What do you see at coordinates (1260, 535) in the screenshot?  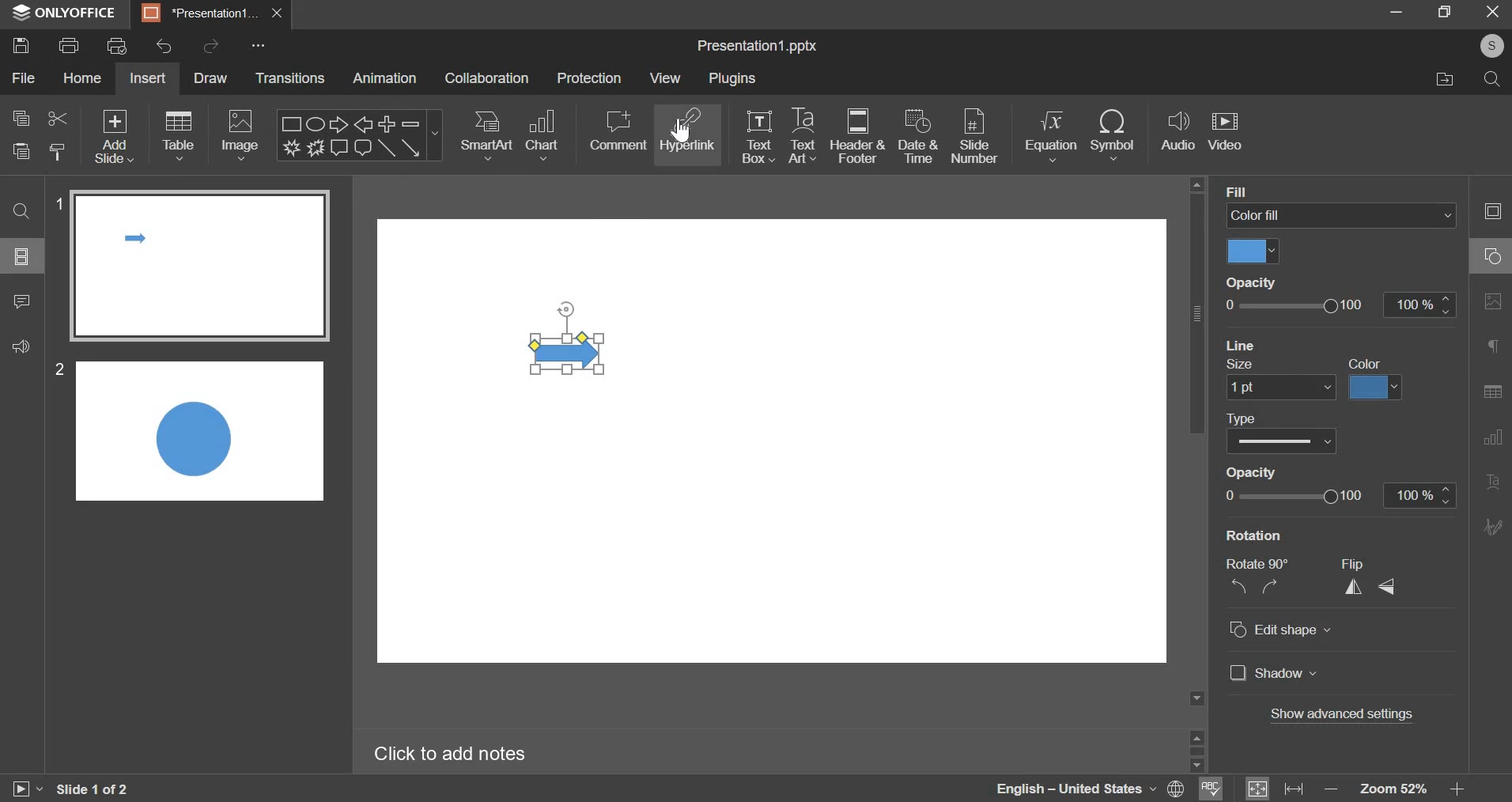 I see `rotation` at bounding box center [1260, 535].